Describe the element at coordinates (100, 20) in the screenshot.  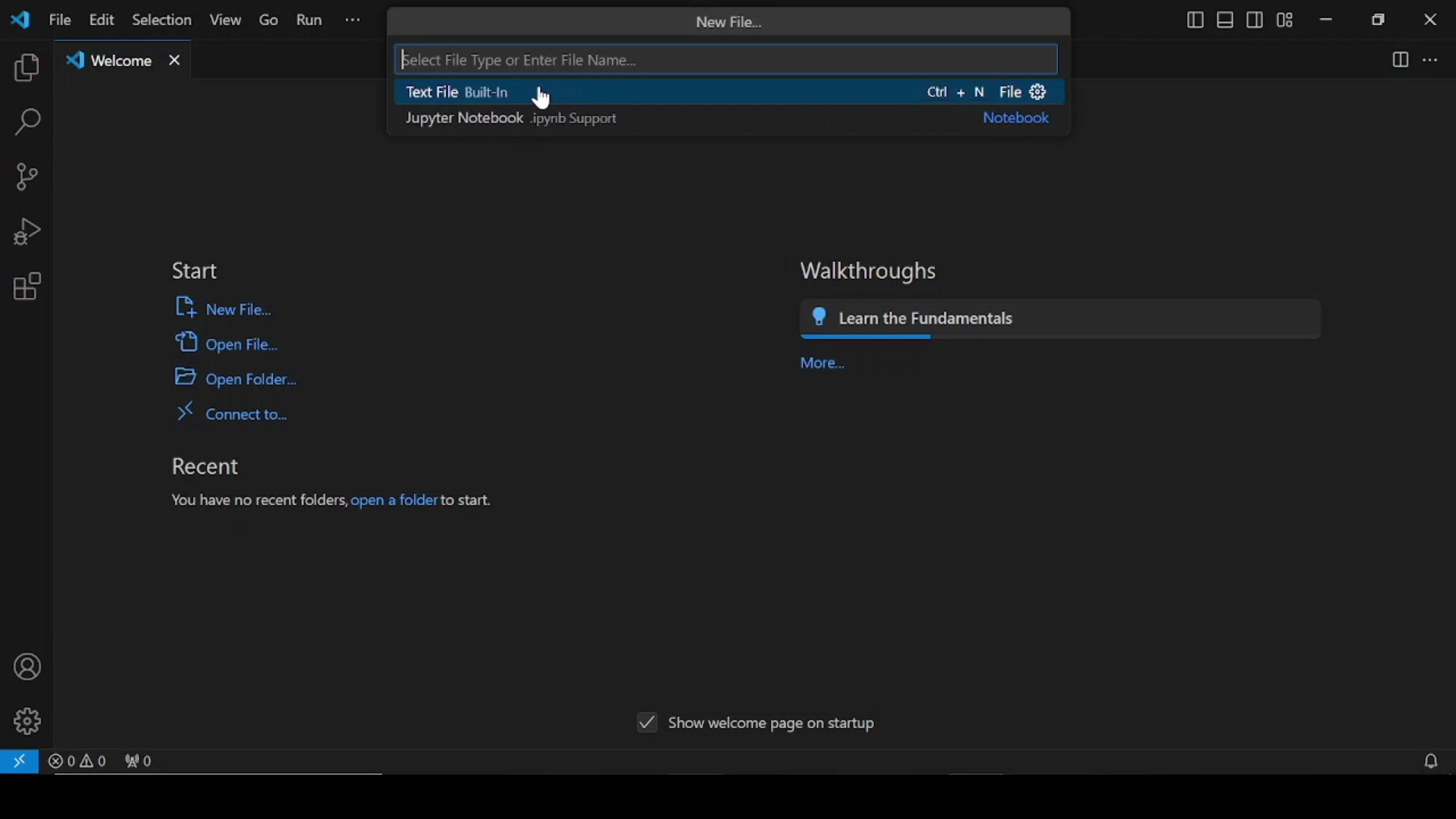
I see `edit` at that location.